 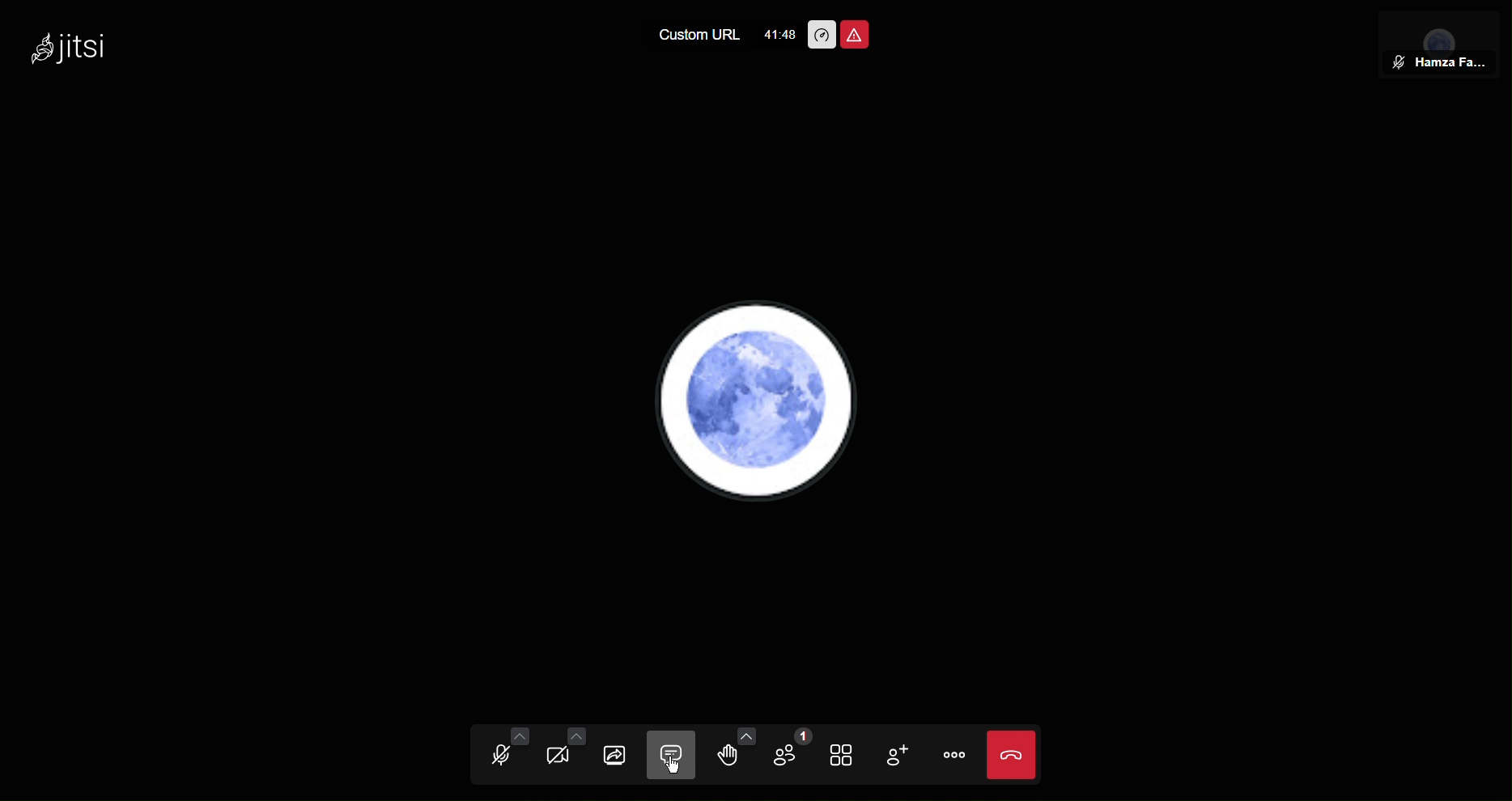 What do you see at coordinates (1438, 39) in the screenshot?
I see `Participant View` at bounding box center [1438, 39].